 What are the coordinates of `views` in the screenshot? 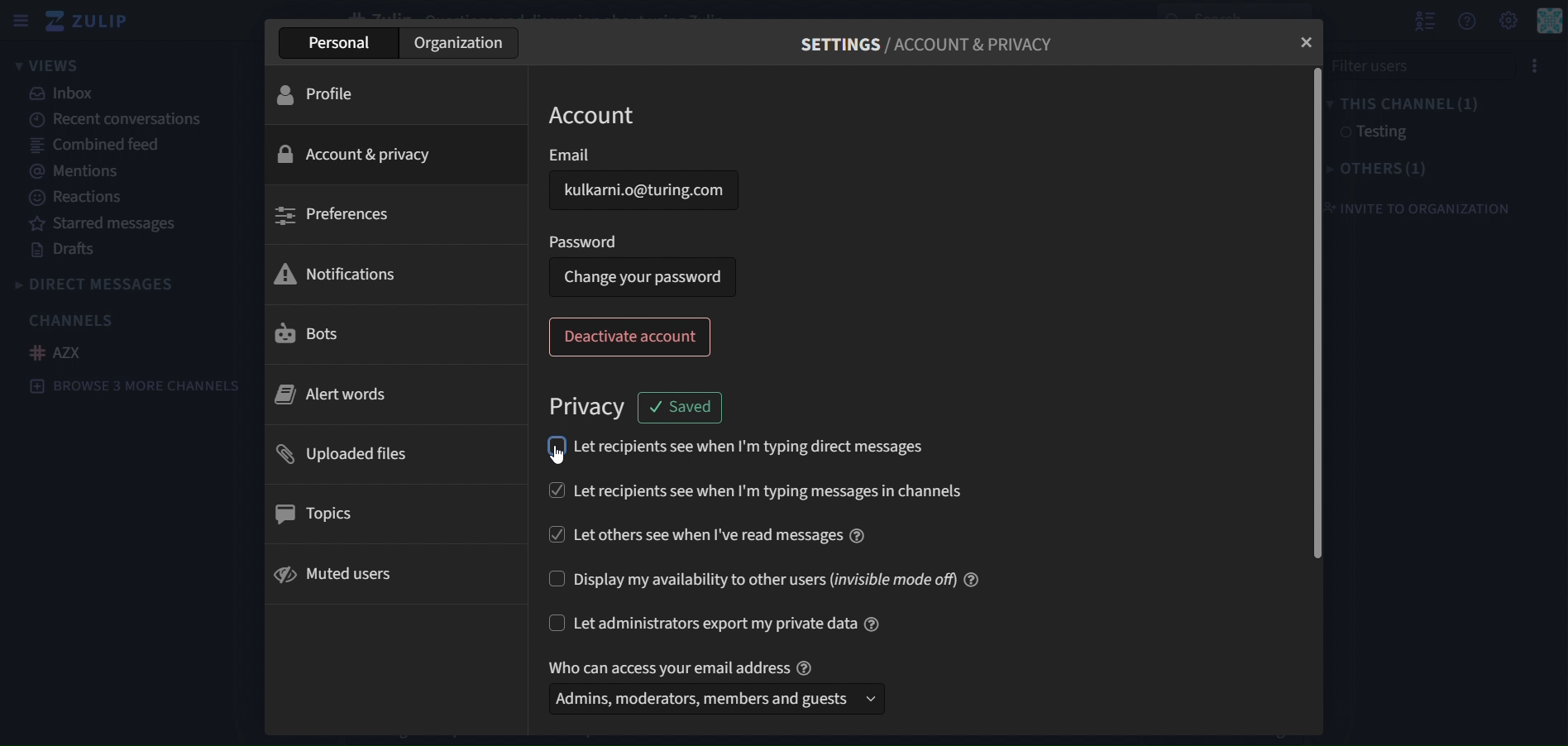 It's located at (55, 65).